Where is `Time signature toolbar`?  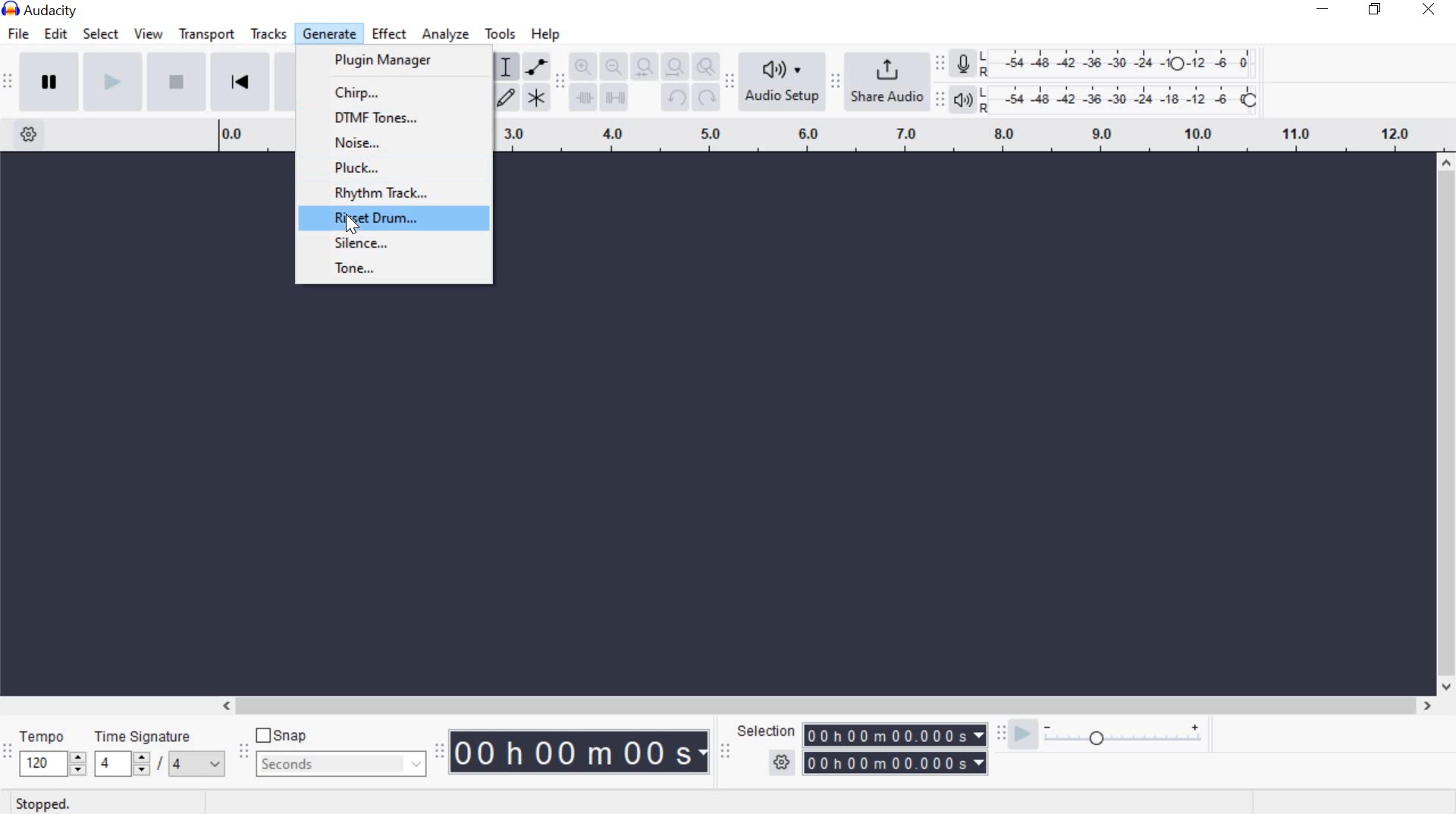 Time signature toolbar is located at coordinates (8, 758).